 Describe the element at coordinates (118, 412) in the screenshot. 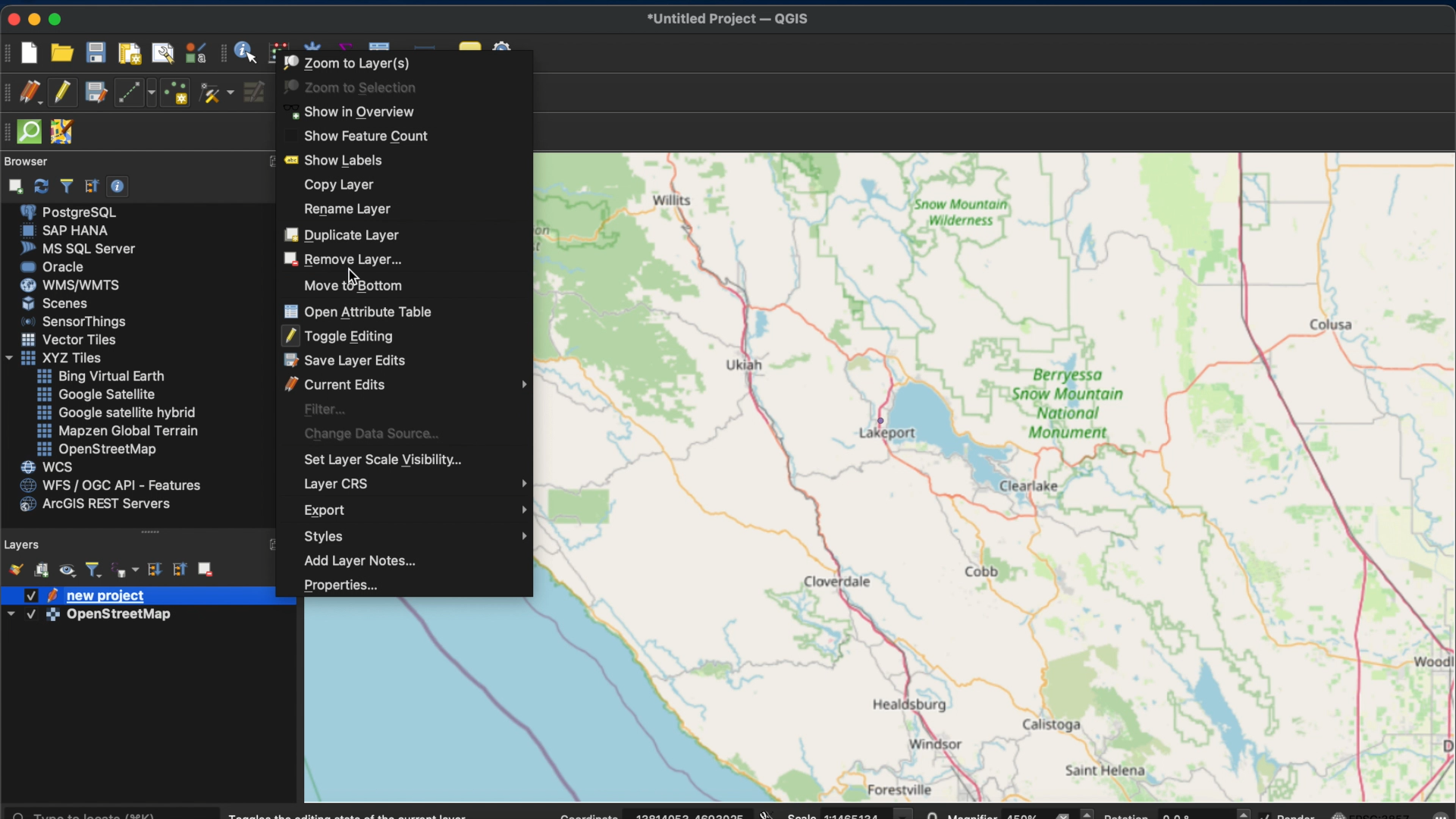

I see `google hybrid satellite` at that location.